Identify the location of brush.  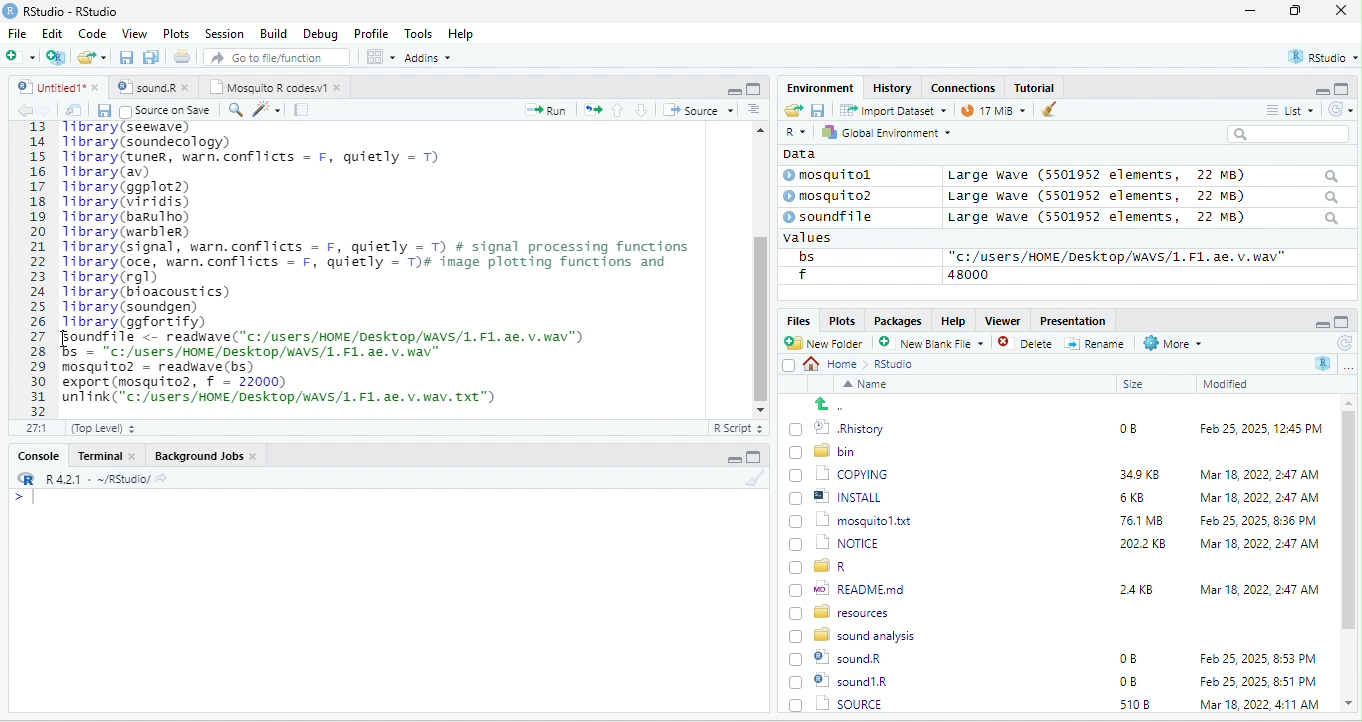
(757, 479).